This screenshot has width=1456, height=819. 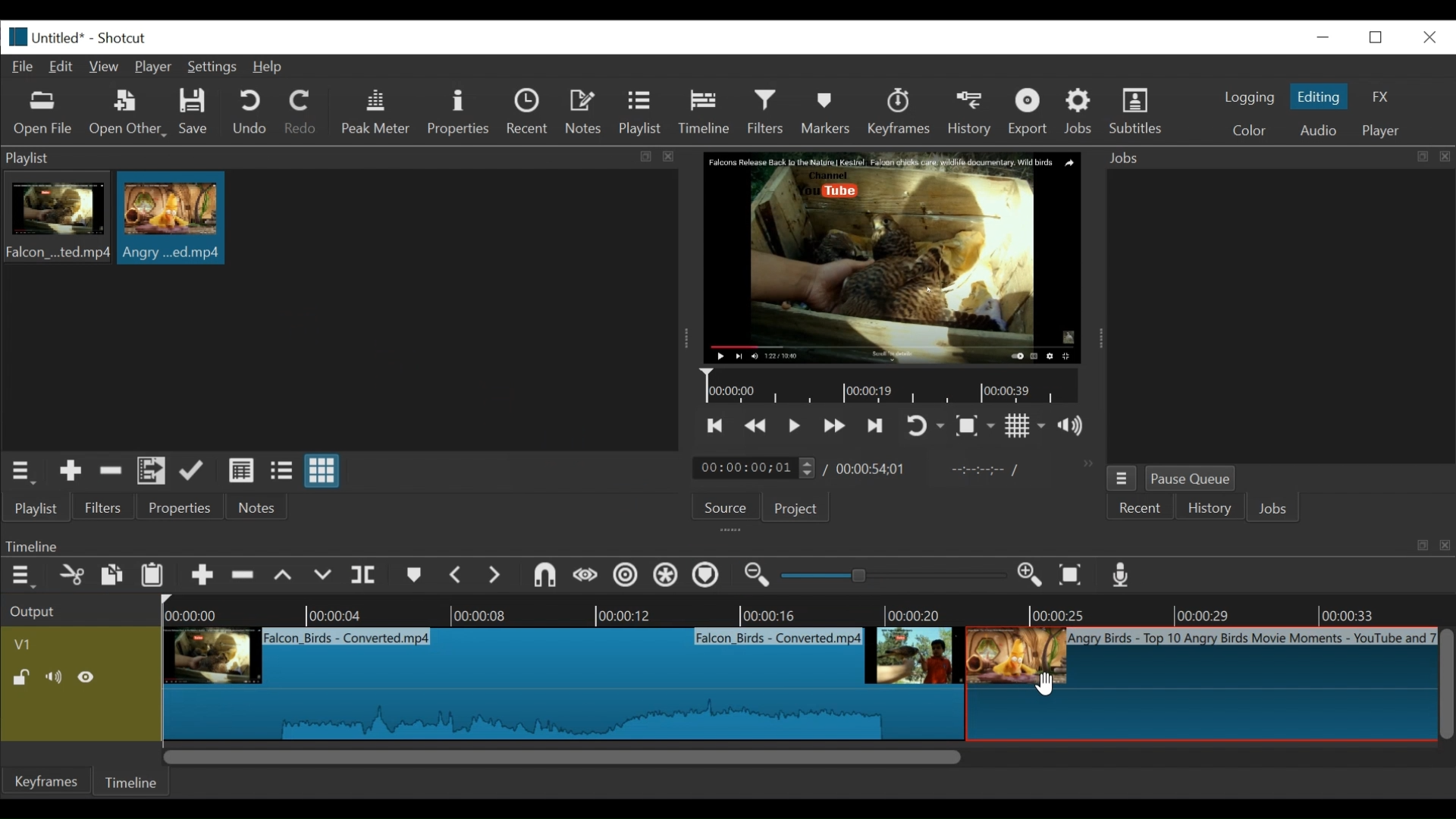 I want to click on Append, so click(x=202, y=579).